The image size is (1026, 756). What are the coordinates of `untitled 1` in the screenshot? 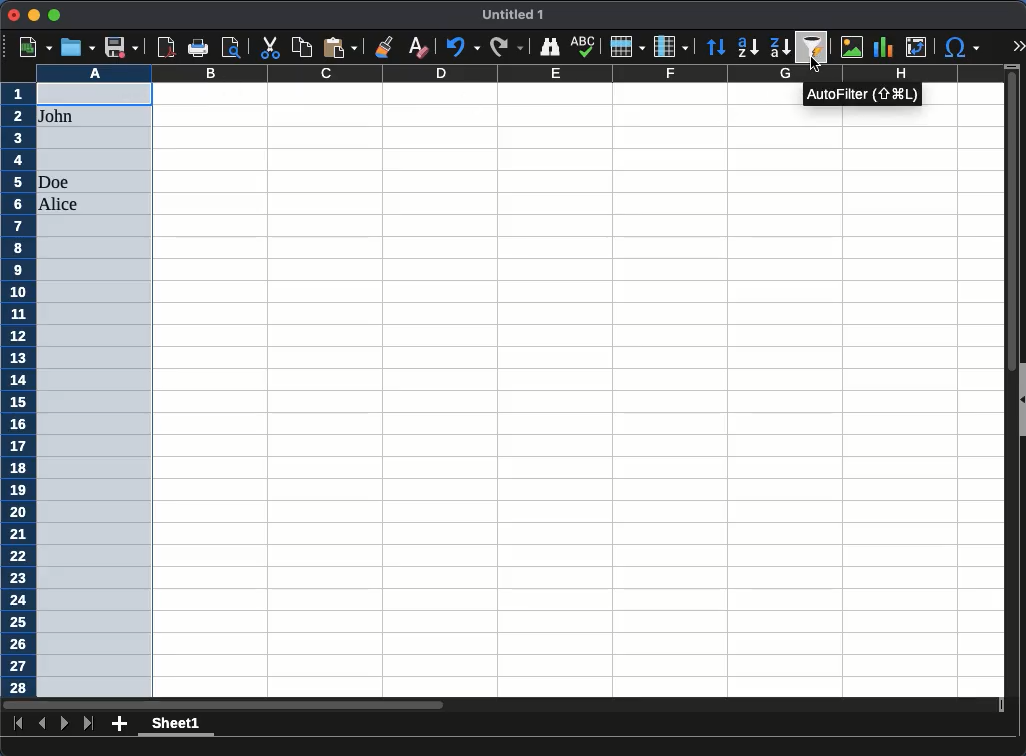 It's located at (510, 15).